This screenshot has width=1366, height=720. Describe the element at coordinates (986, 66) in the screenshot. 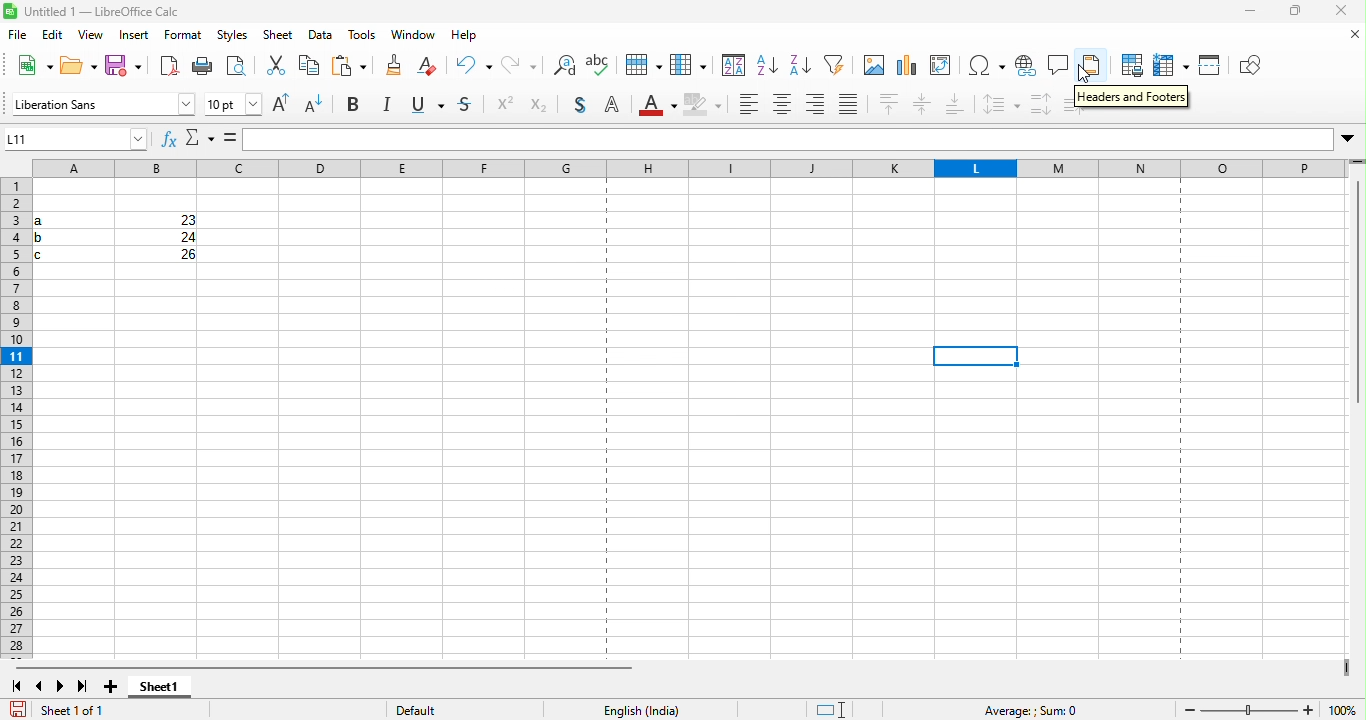

I see `special character` at that location.